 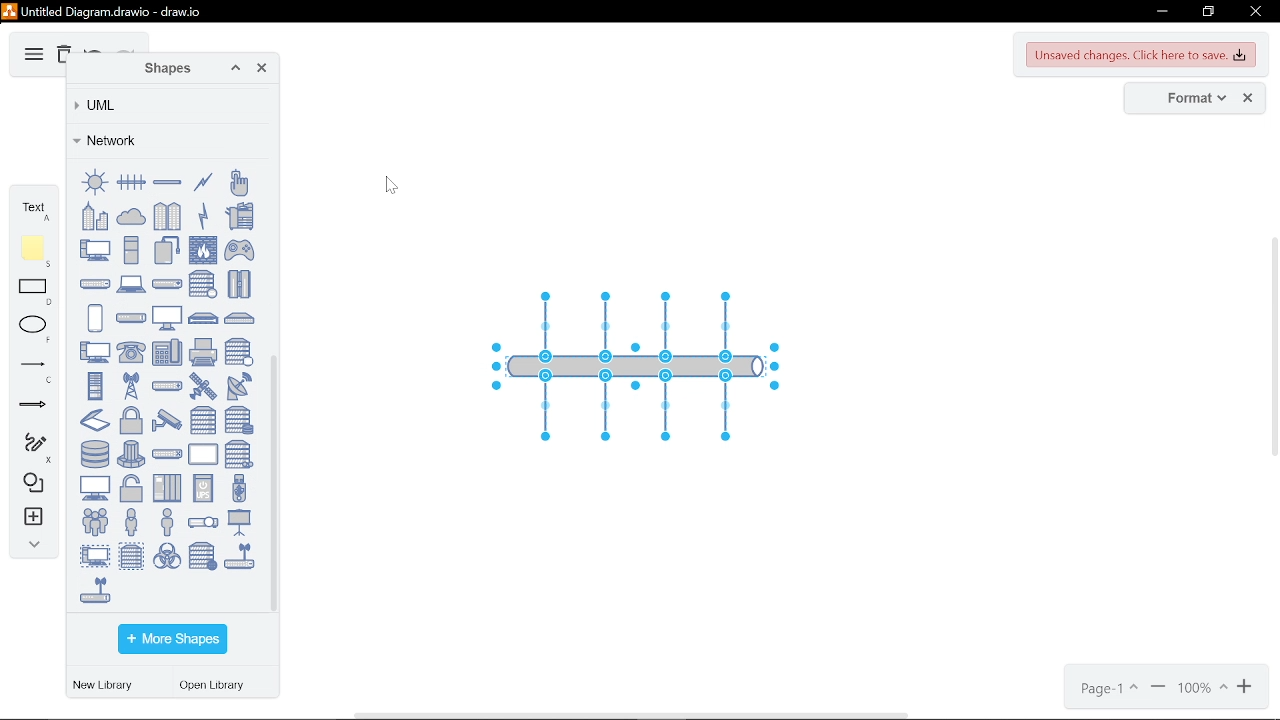 I want to click on server, so click(x=203, y=420).